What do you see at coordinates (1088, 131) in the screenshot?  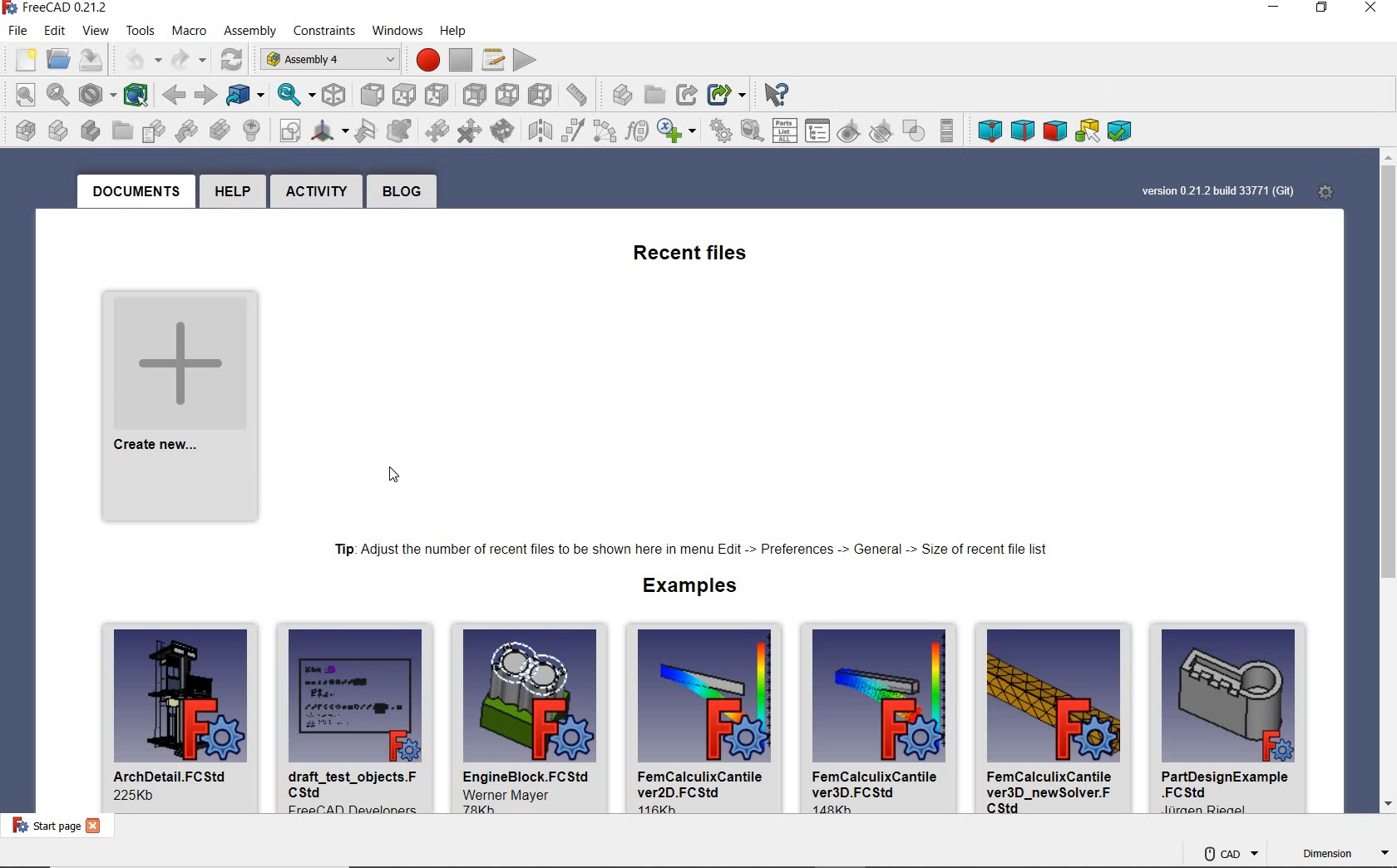 I see `3D View` at bounding box center [1088, 131].